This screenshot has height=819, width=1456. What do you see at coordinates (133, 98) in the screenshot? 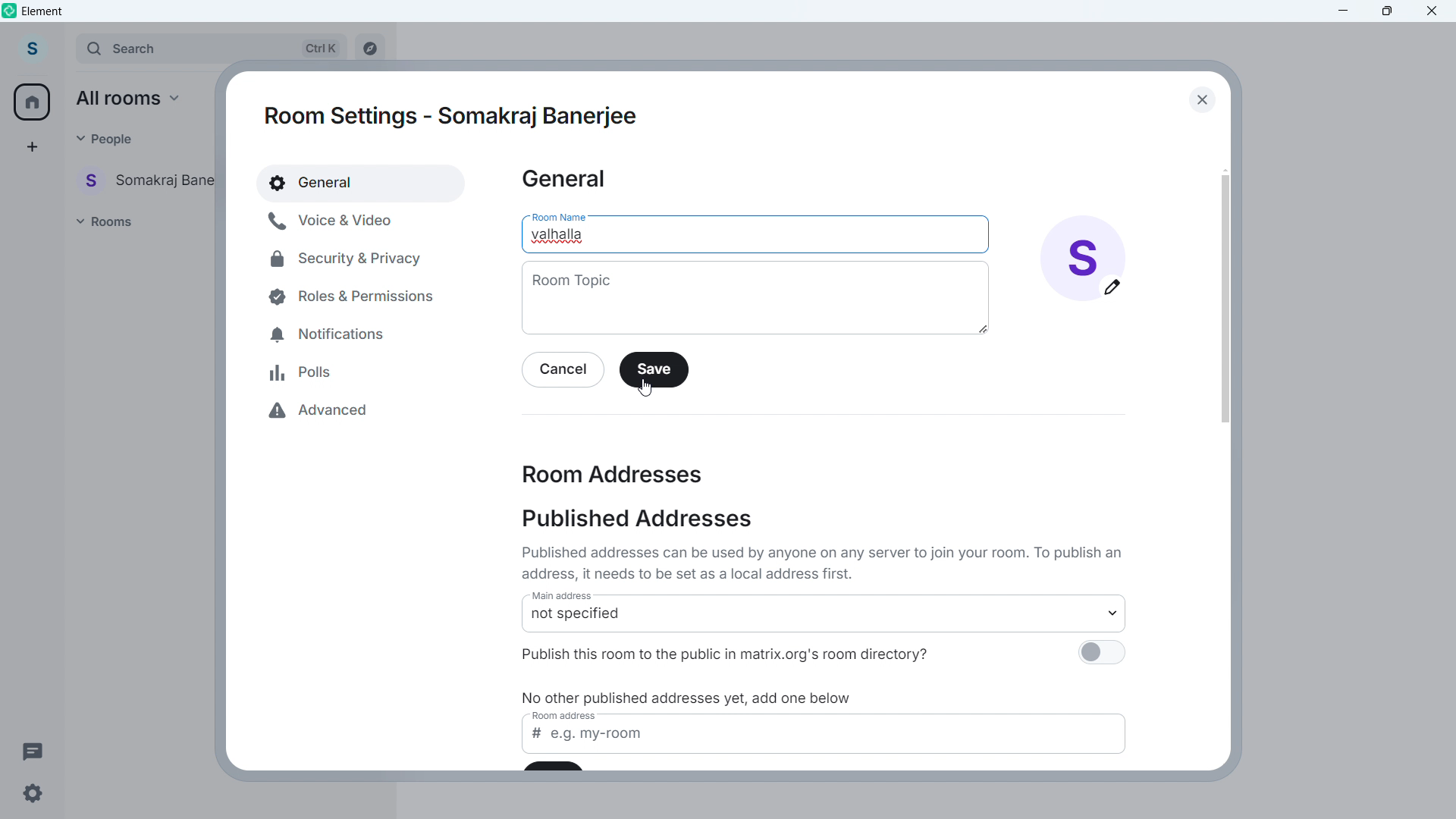
I see `all rooms` at bounding box center [133, 98].